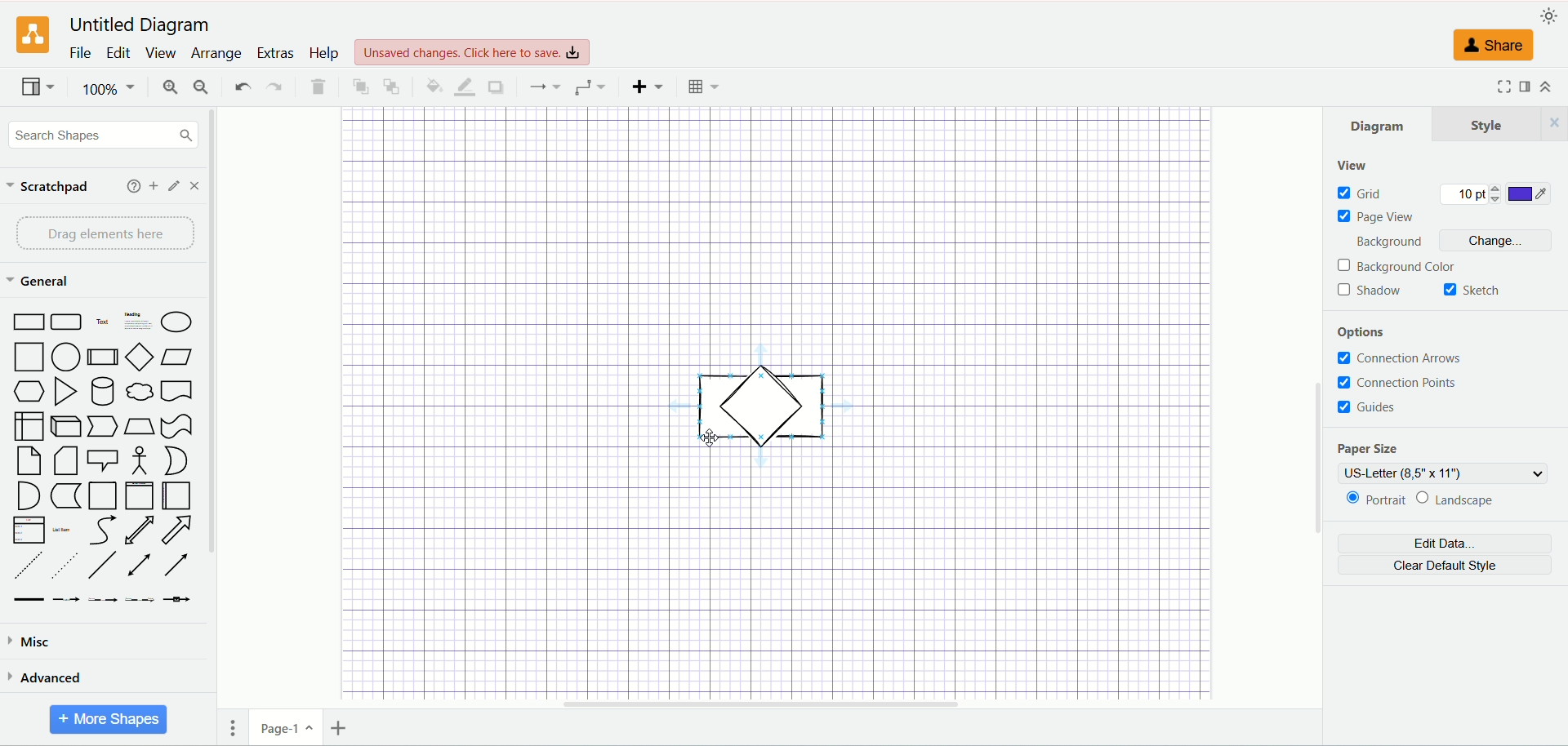  Describe the element at coordinates (194, 184) in the screenshot. I see `close` at that location.